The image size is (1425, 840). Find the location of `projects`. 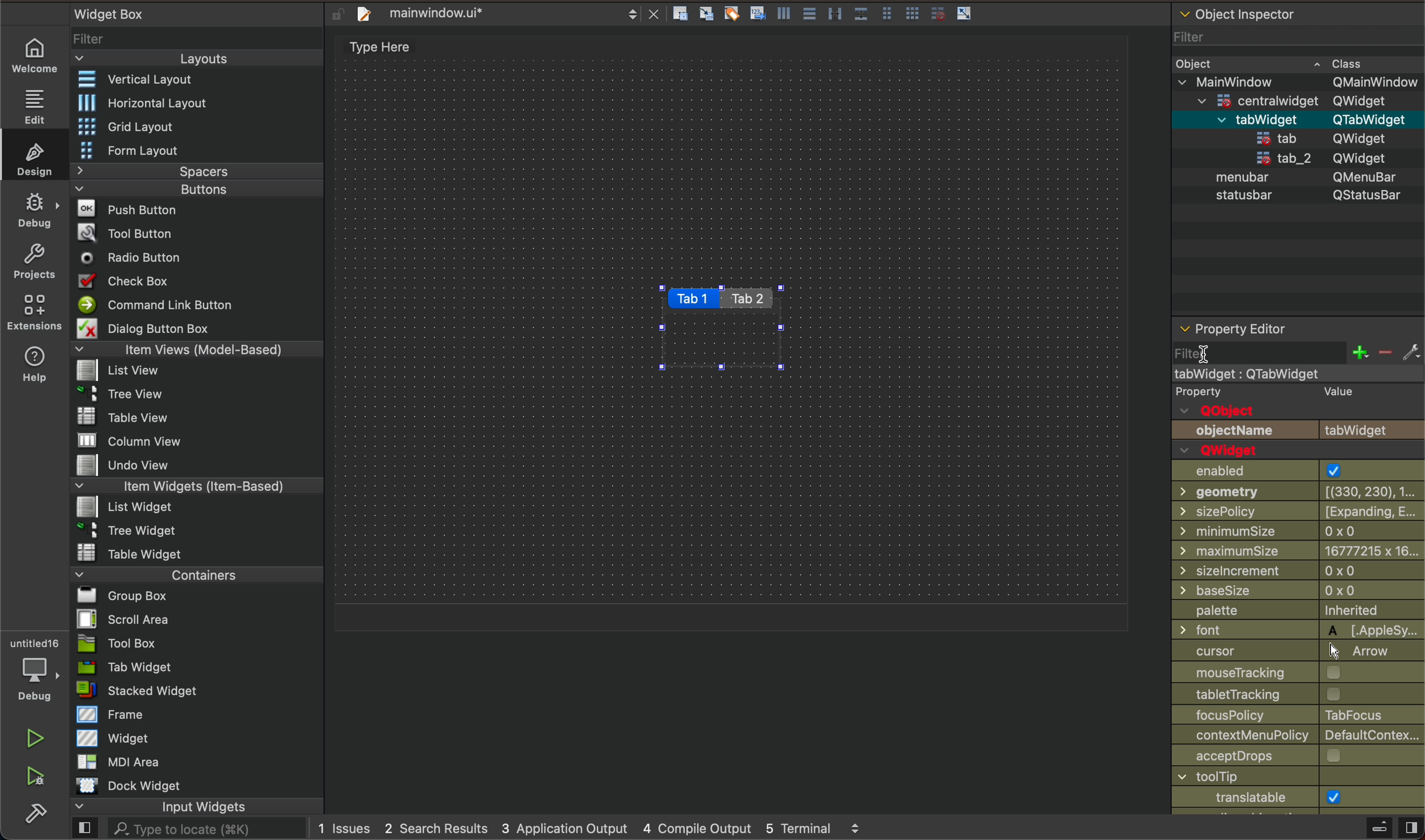

projects is located at coordinates (36, 261).